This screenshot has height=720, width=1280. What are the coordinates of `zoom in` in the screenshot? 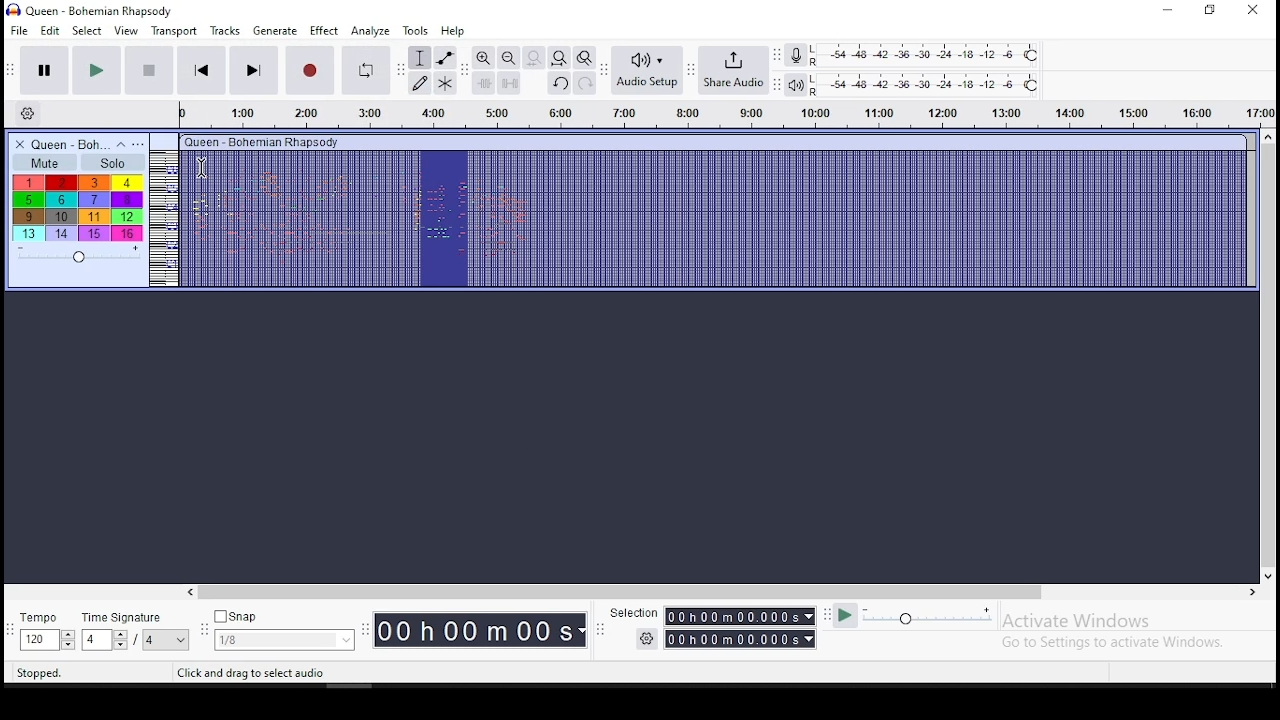 It's located at (485, 58).